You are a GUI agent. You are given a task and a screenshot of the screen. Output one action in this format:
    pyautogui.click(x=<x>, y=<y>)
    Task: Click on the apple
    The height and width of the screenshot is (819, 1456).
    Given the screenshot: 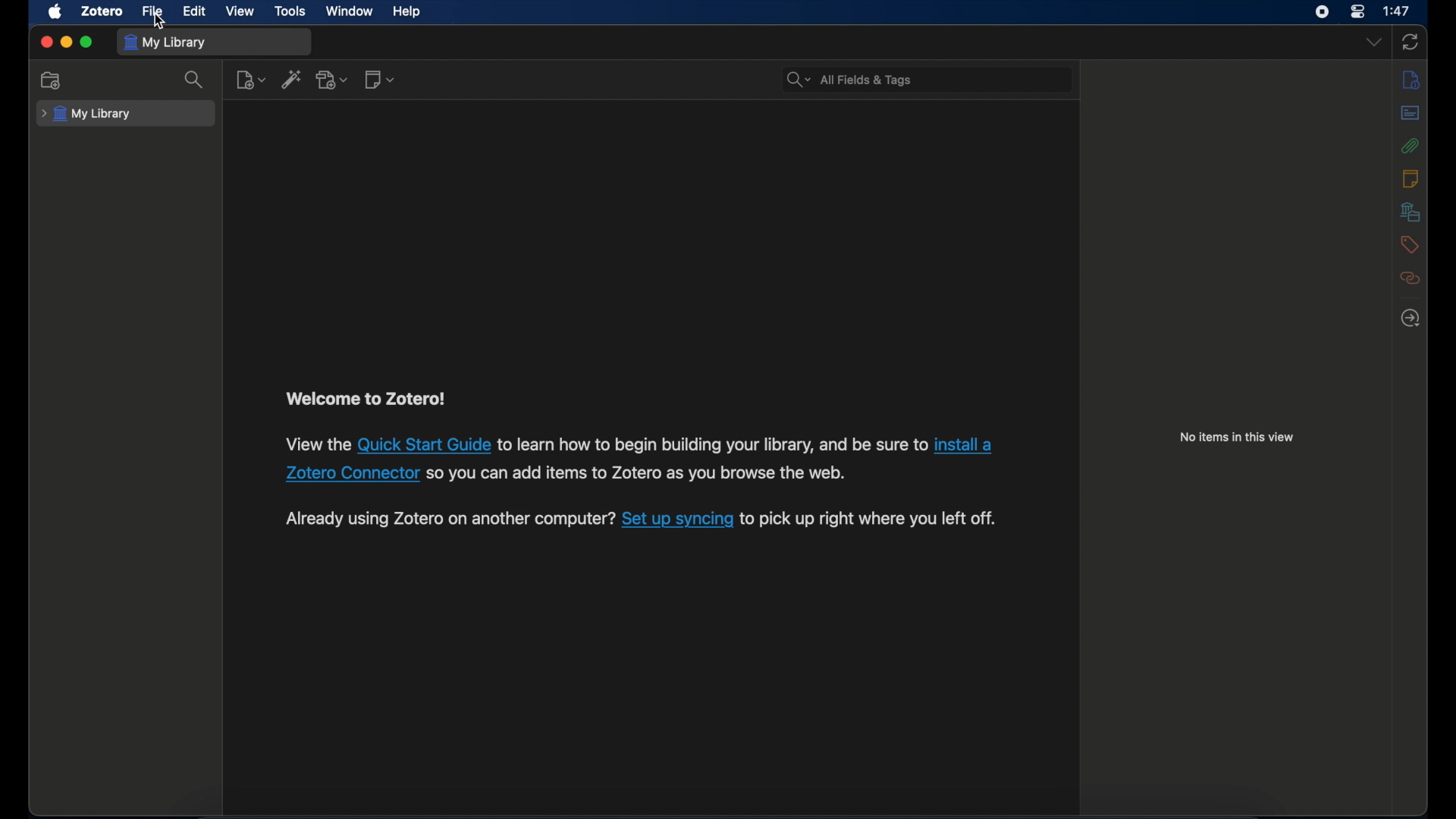 What is the action you would take?
    pyautogui.click(x=54, y=11)
    